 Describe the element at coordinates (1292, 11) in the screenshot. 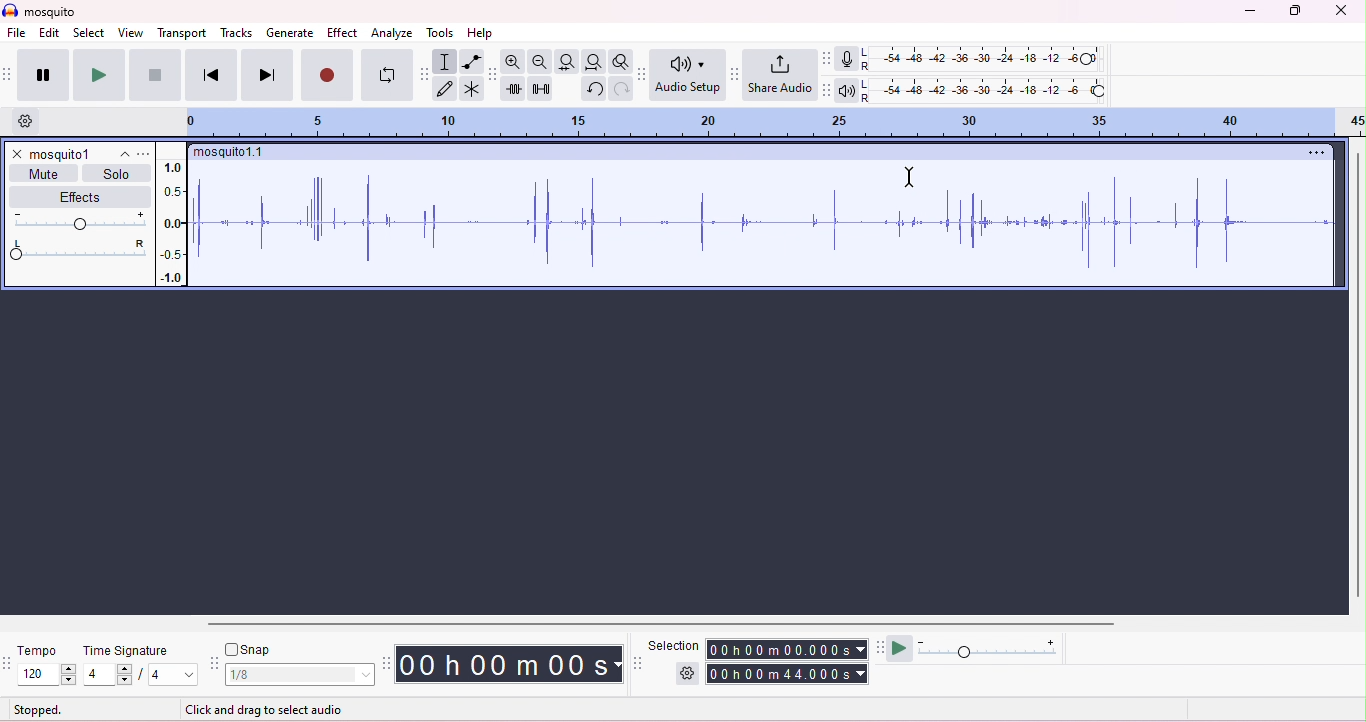

I see `maximize` at that location.